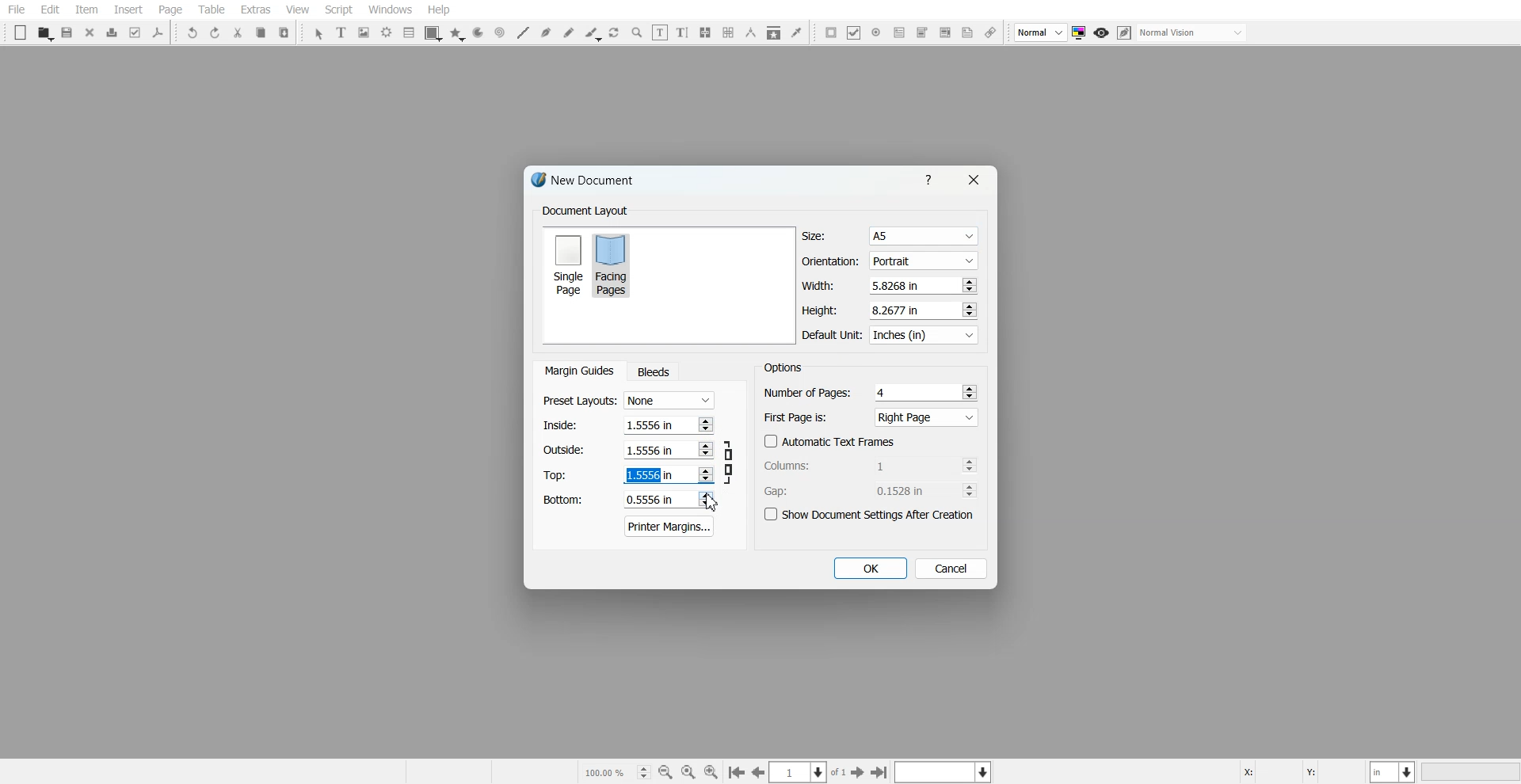 The image size is (1521, 784). I want to click on Freehand line, so click(569, 32).